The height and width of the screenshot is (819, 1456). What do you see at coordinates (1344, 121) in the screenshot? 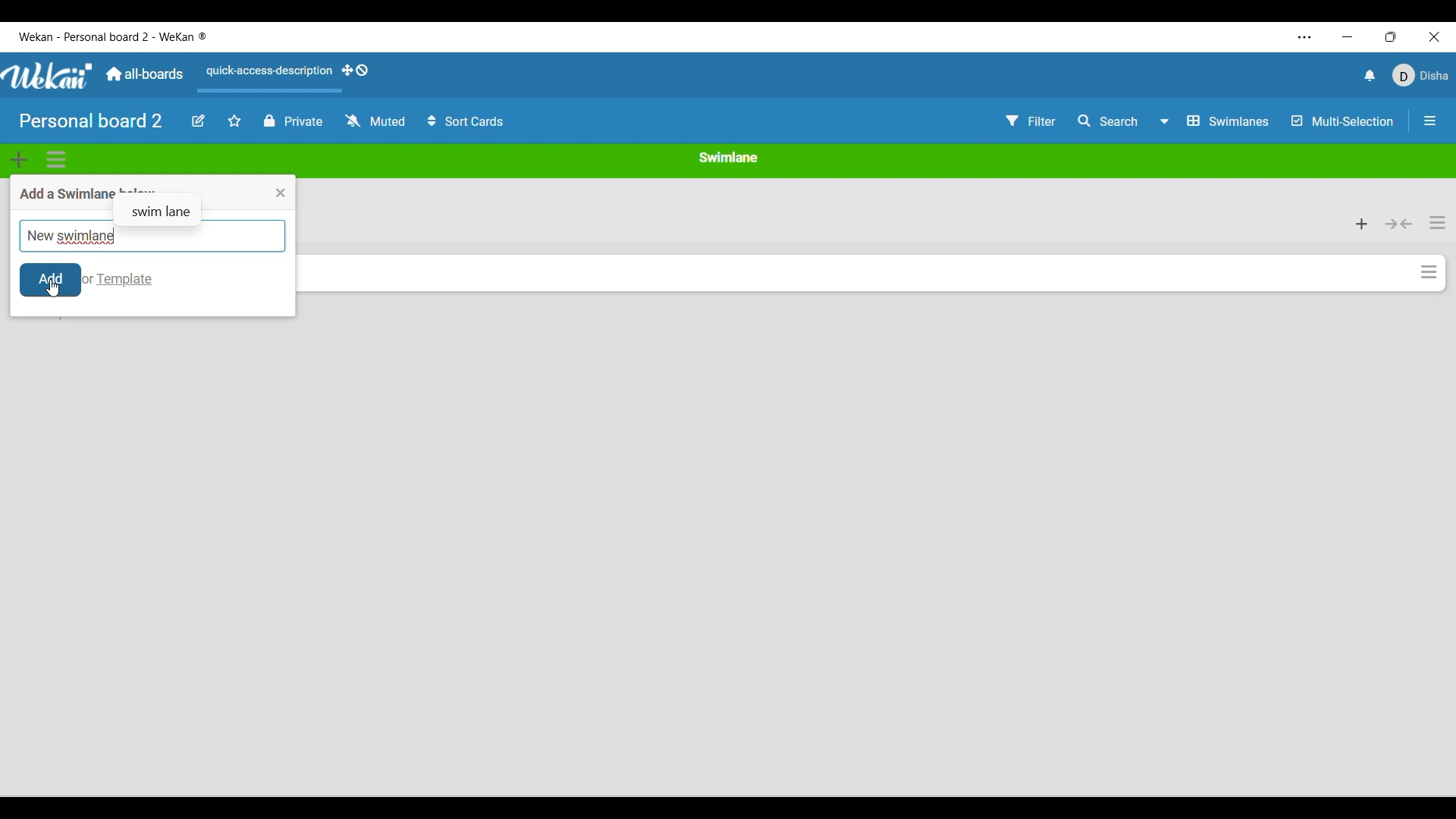
I see `Toggle for multi-selection` at bounding box center [1344, 121].